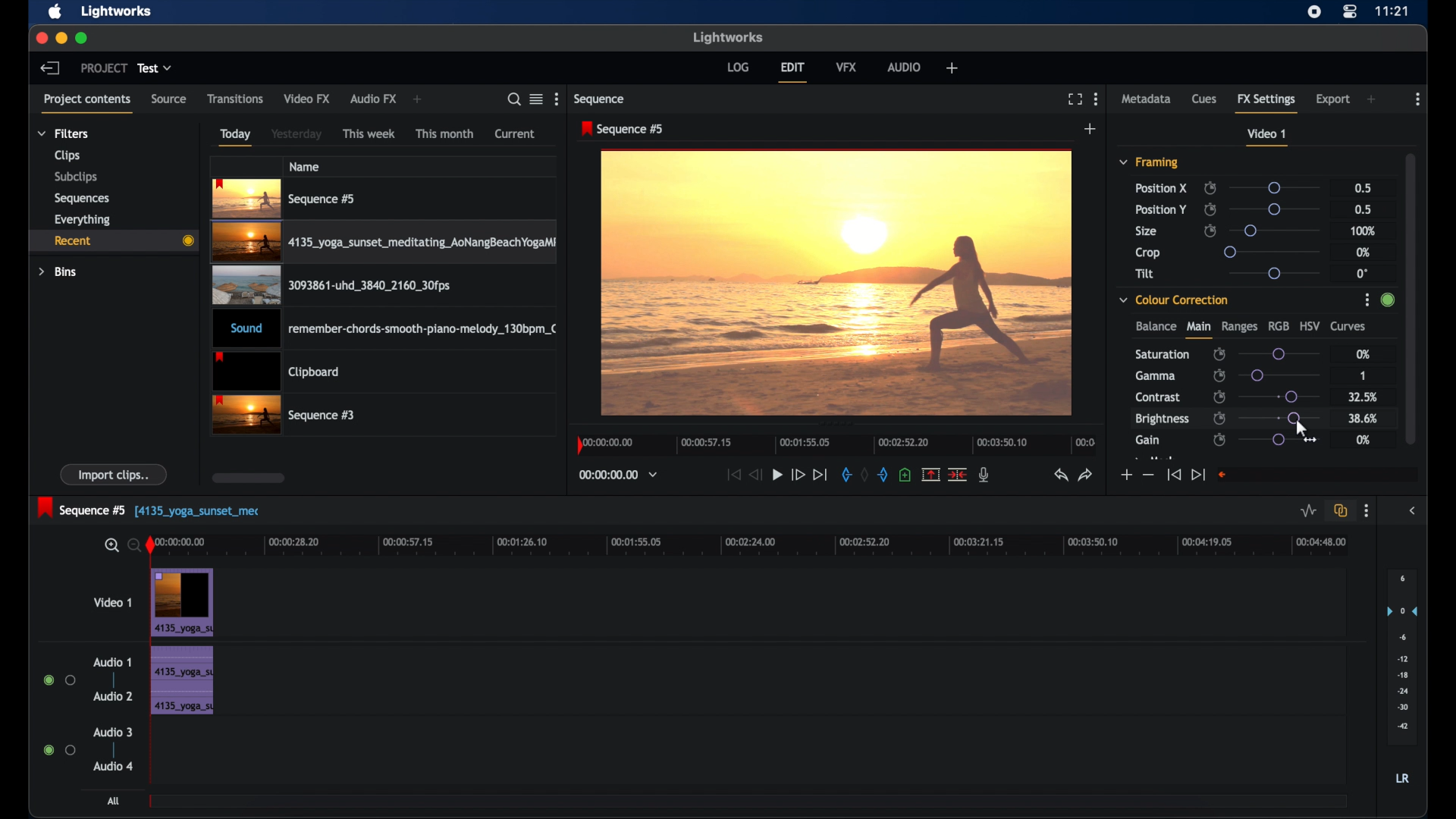  What do you see at coordinates (1266, 137) in the screenshot?
I see `video 1` at bounding box center [1266, 137].